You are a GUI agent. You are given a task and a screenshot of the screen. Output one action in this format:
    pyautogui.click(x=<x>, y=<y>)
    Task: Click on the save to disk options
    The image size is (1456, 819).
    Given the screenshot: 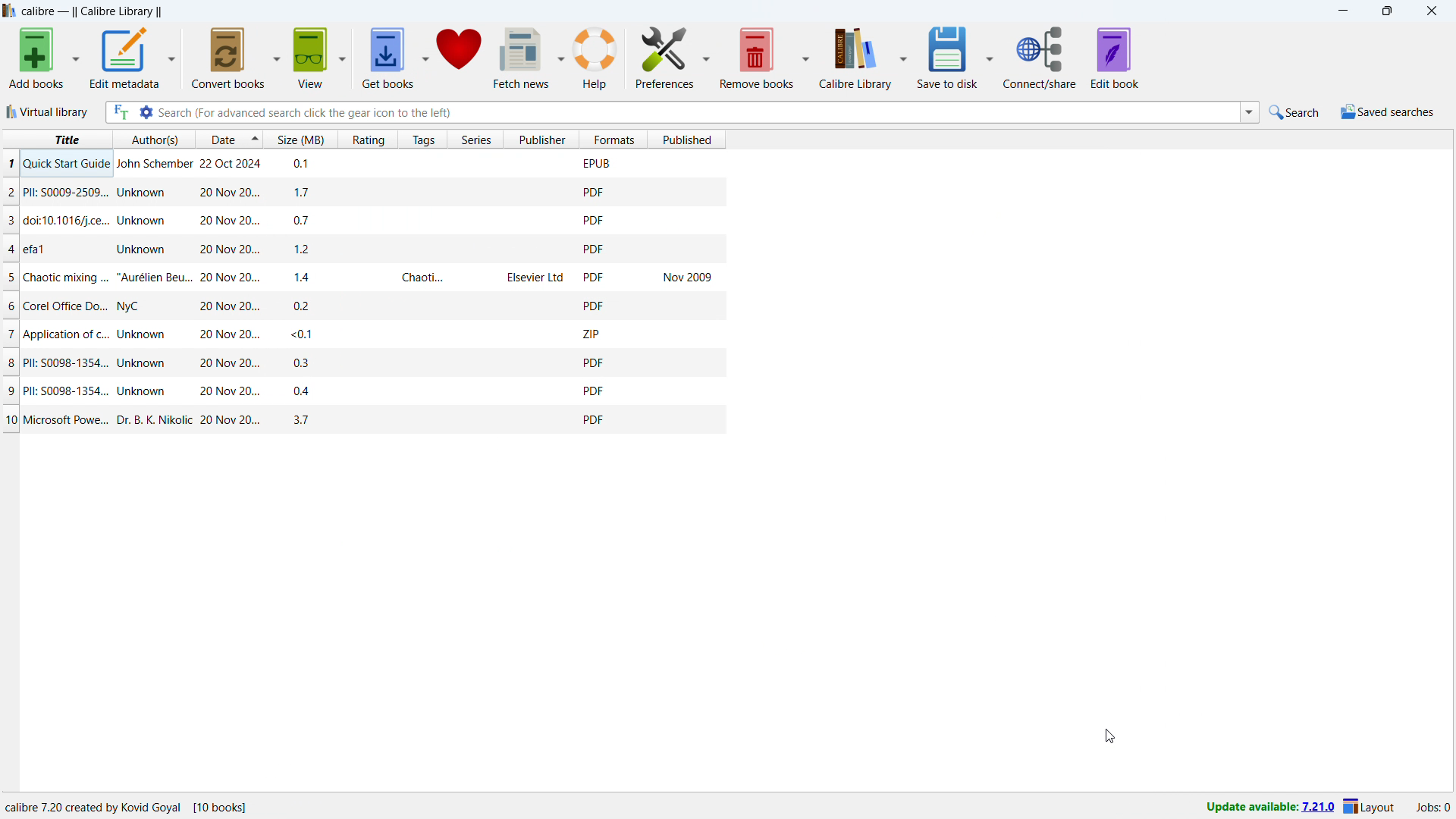 What is the action you would take?
    pyautogui.click(x=991, y=56)
    